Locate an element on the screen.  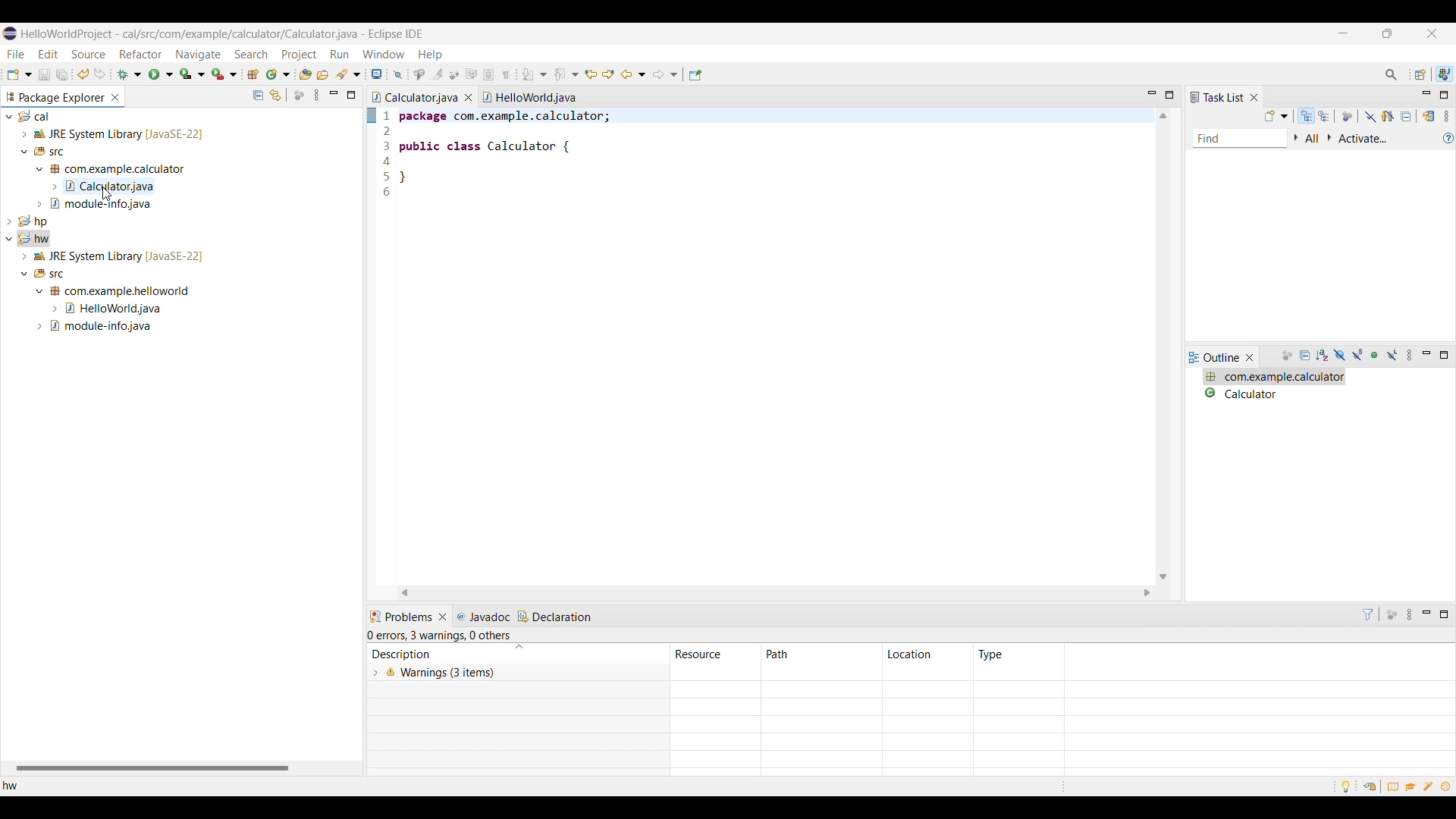
Close interface is located at coordinates (1431, 33).